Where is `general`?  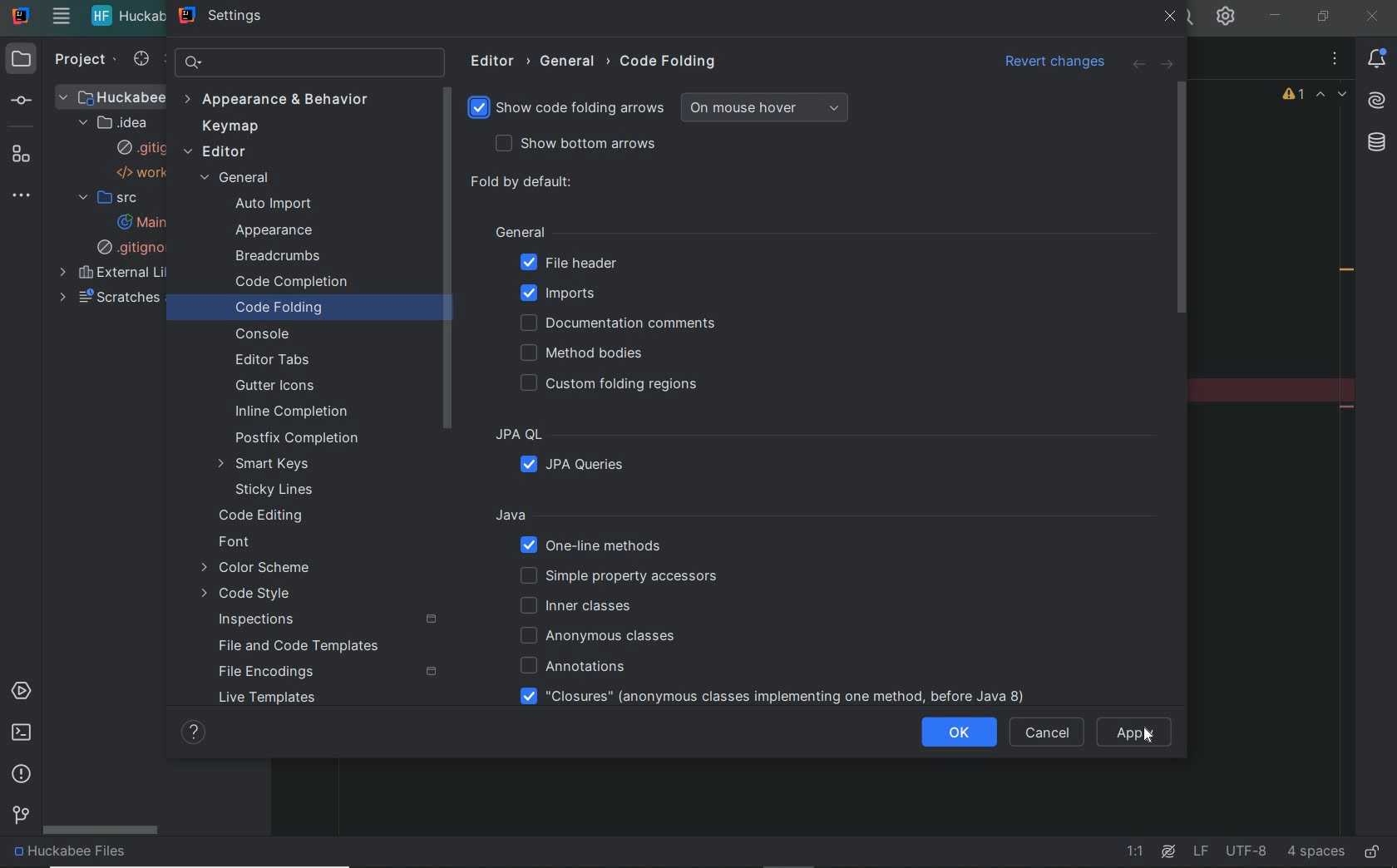 general is located at coordinates (578, 62).